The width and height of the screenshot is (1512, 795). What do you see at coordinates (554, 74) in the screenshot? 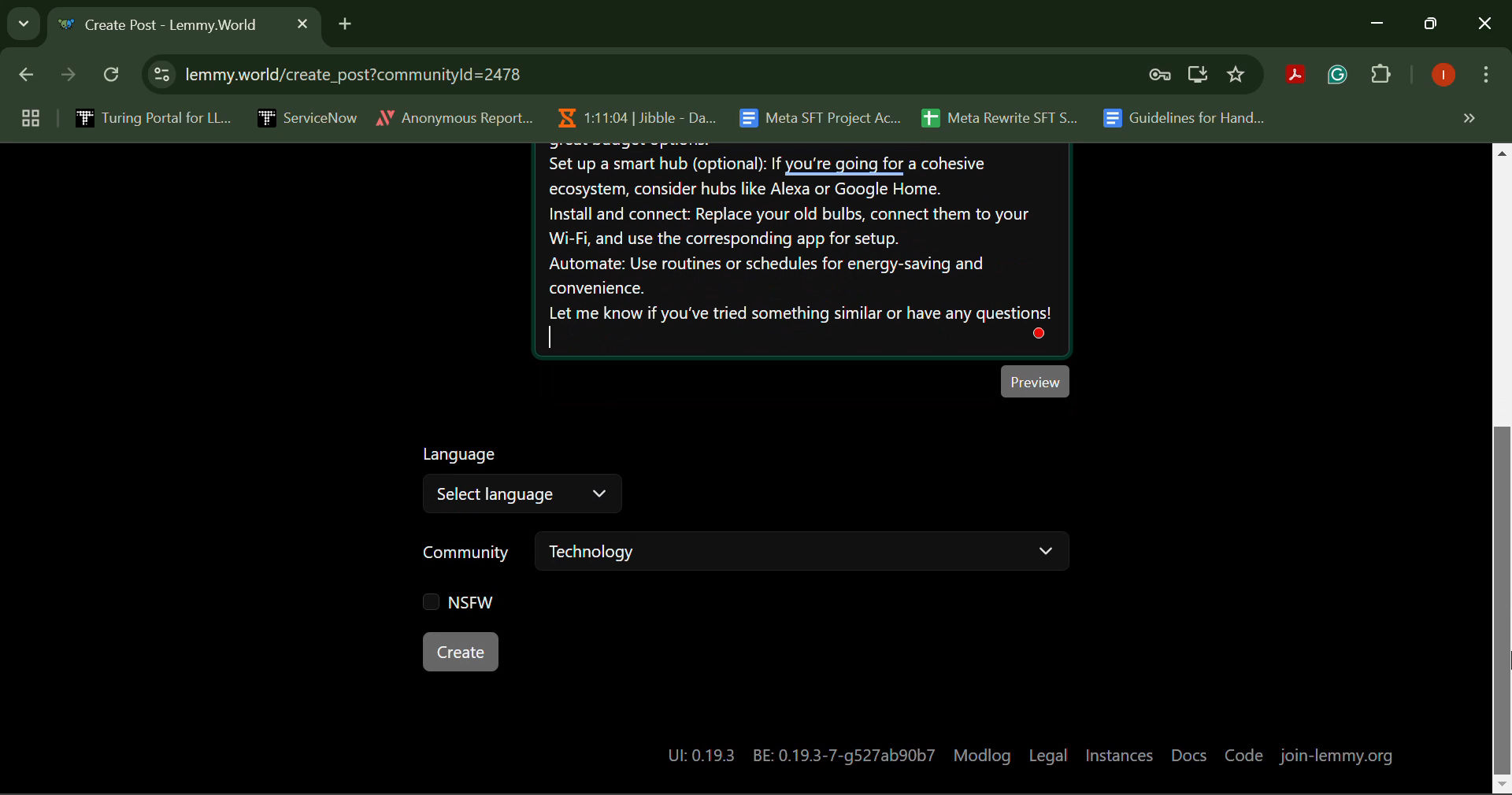
I see `Website Address` at bounding box center [554, 74].